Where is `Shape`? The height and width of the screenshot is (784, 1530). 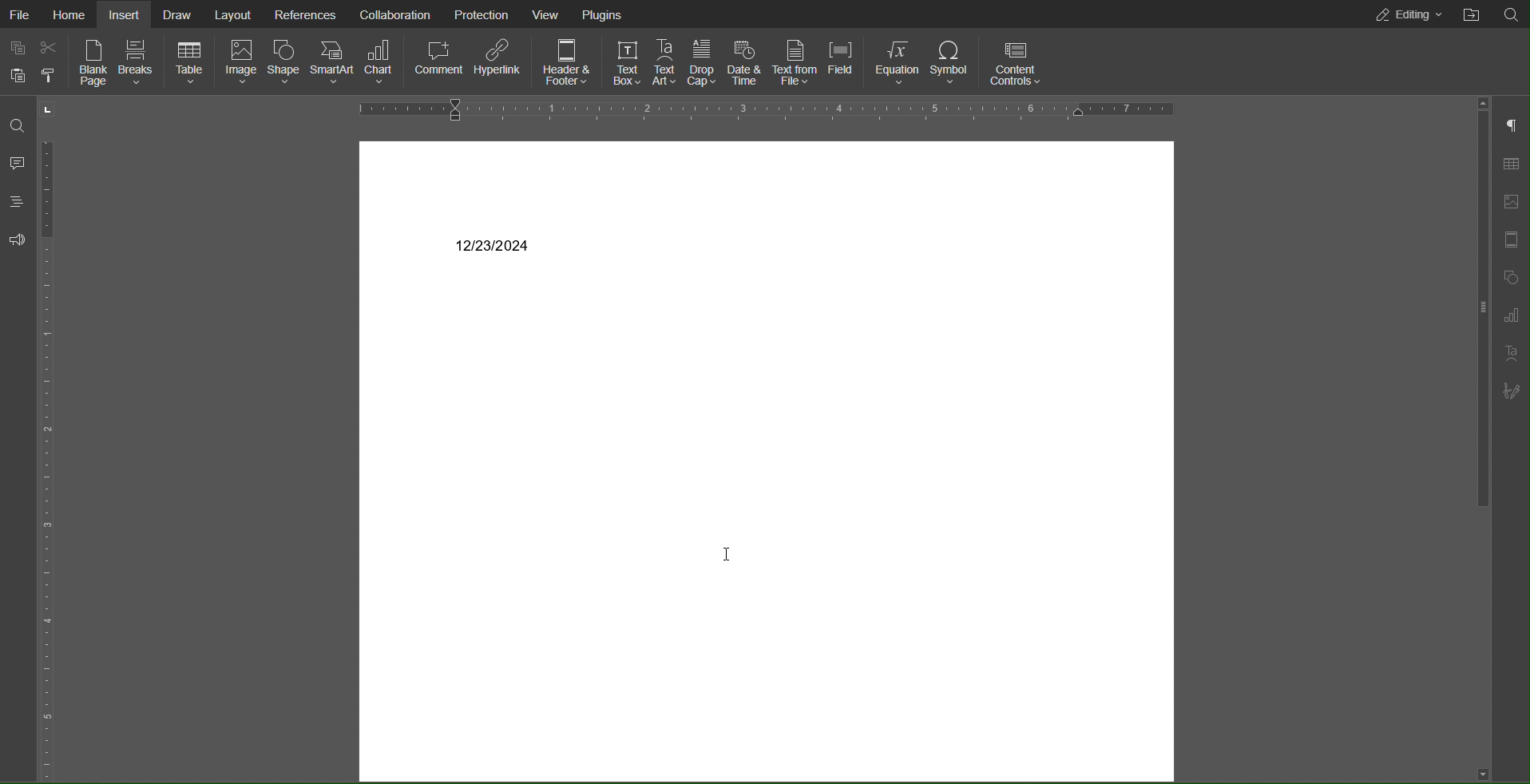 Shape is located at coordinates (283, 63).